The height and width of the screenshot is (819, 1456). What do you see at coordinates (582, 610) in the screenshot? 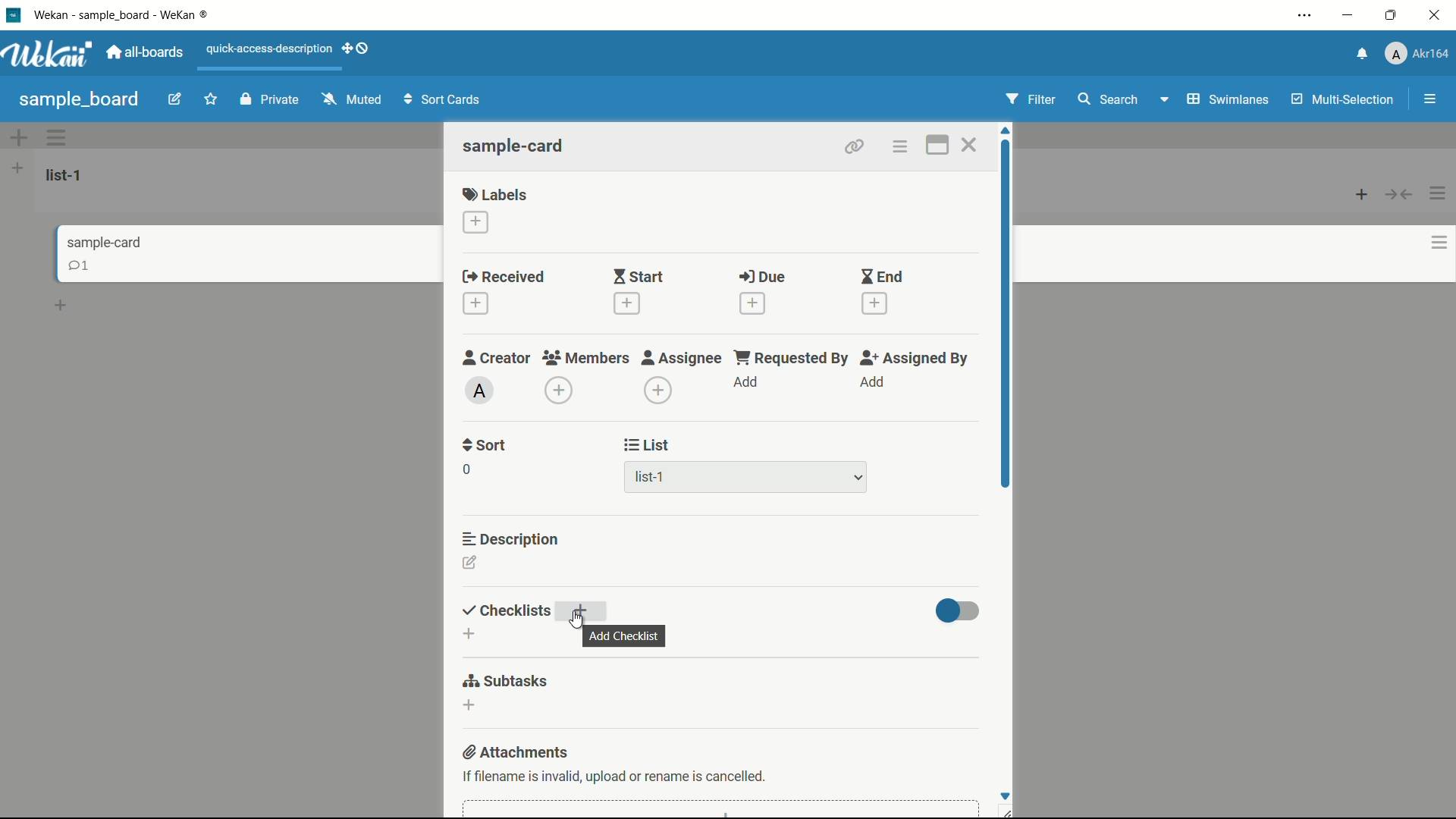
I see `add checklist` at bounding box center [582, 610].